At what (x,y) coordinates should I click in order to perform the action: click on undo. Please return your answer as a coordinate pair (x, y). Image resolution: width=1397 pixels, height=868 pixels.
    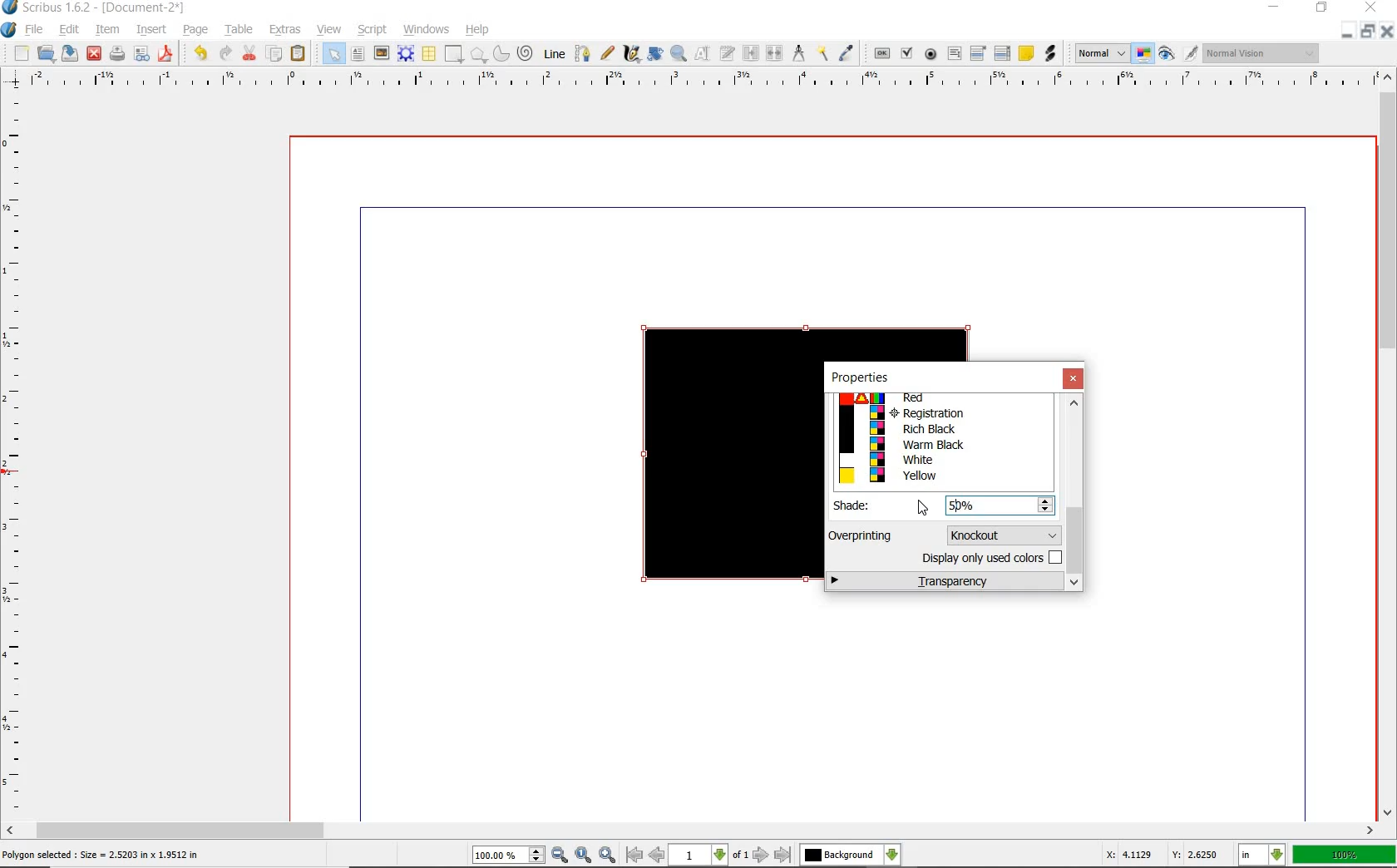
    Looking at the image, I should click on (200, 55).